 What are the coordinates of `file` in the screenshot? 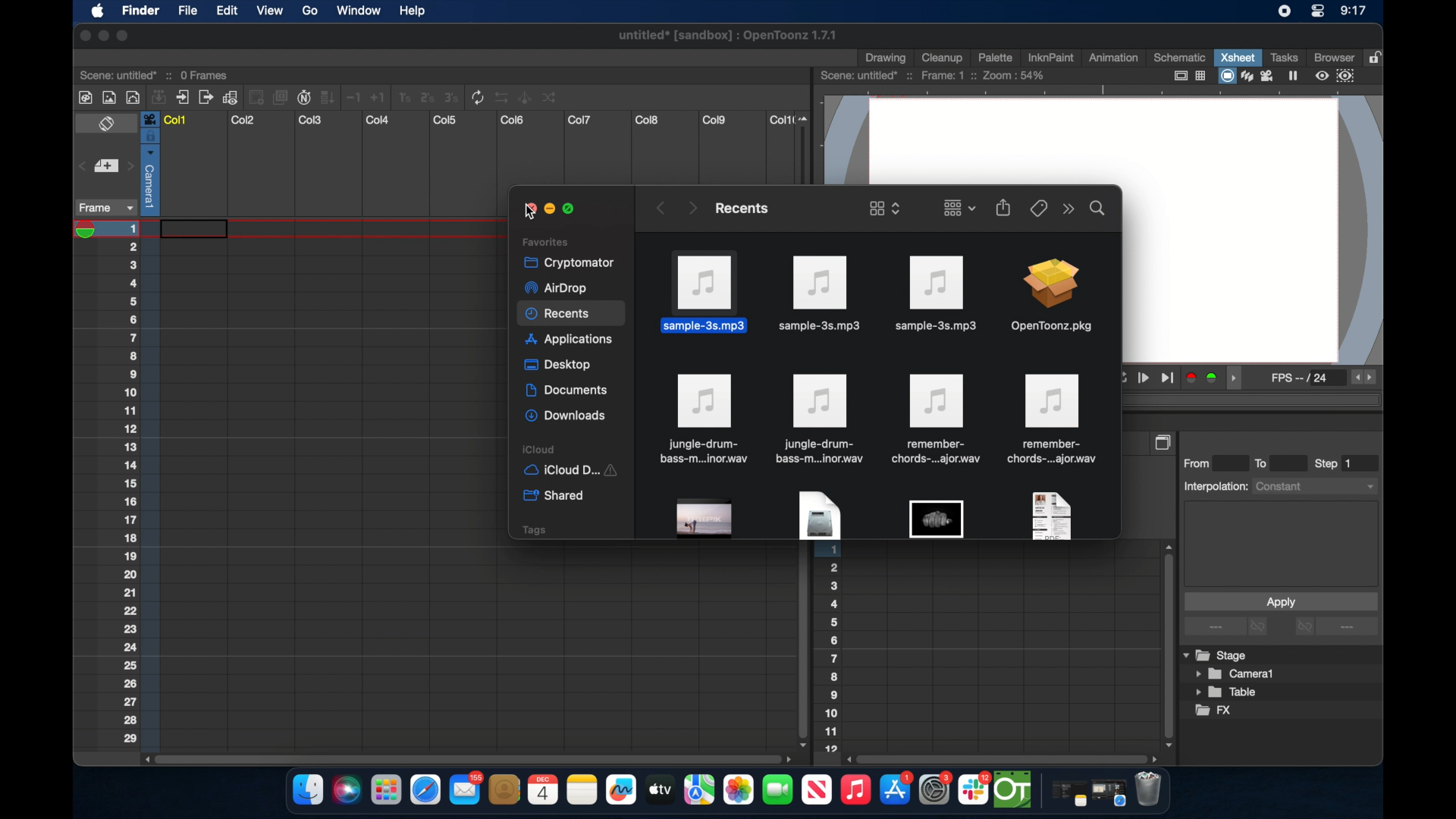 It's located at (934, 419).